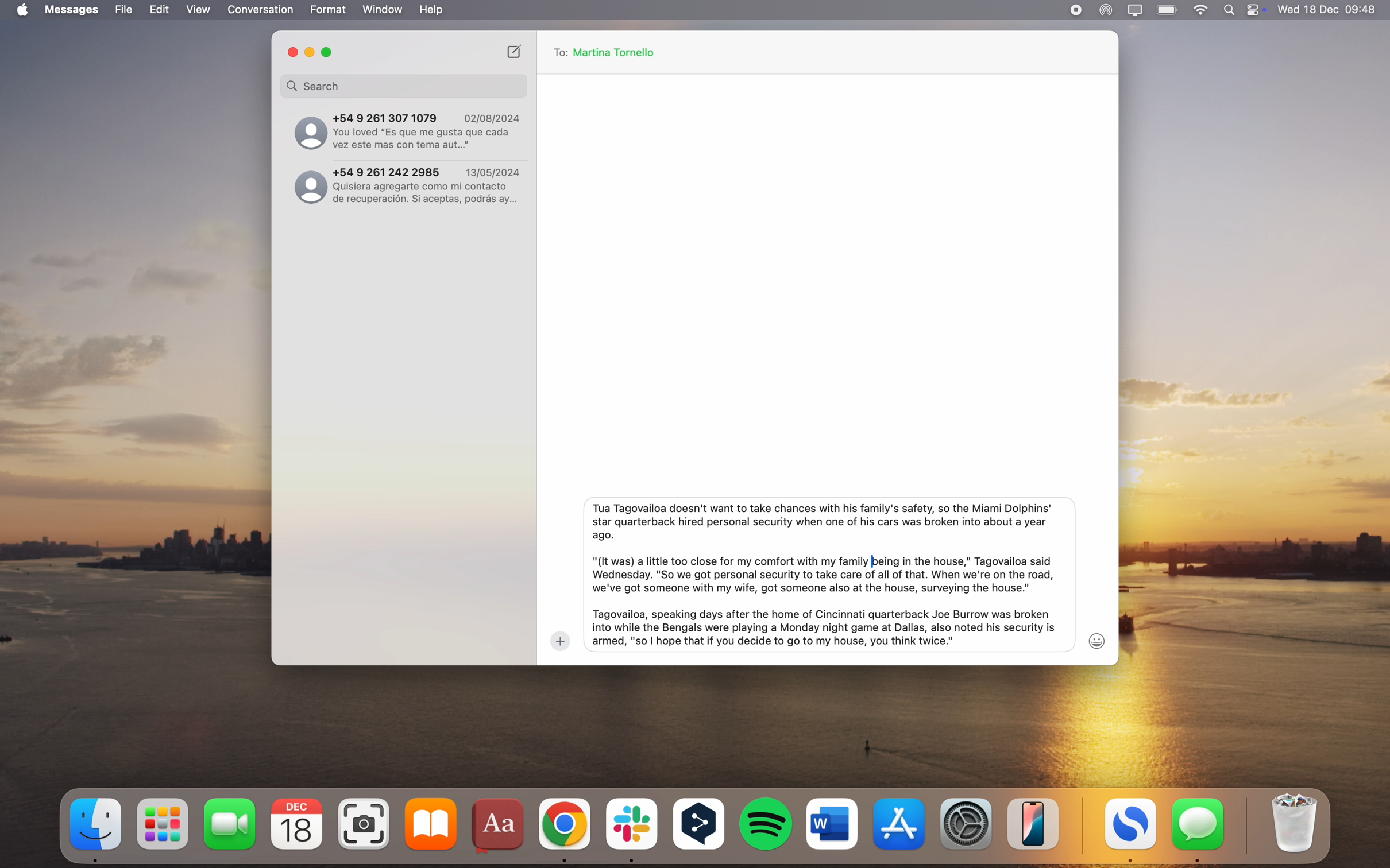 Image resolution: width=1390 pixels, height=868 pixels. What do you see at coordinates (767, 824) in the screenshot?
I see `Spotify` at bounding box center [767, 824].